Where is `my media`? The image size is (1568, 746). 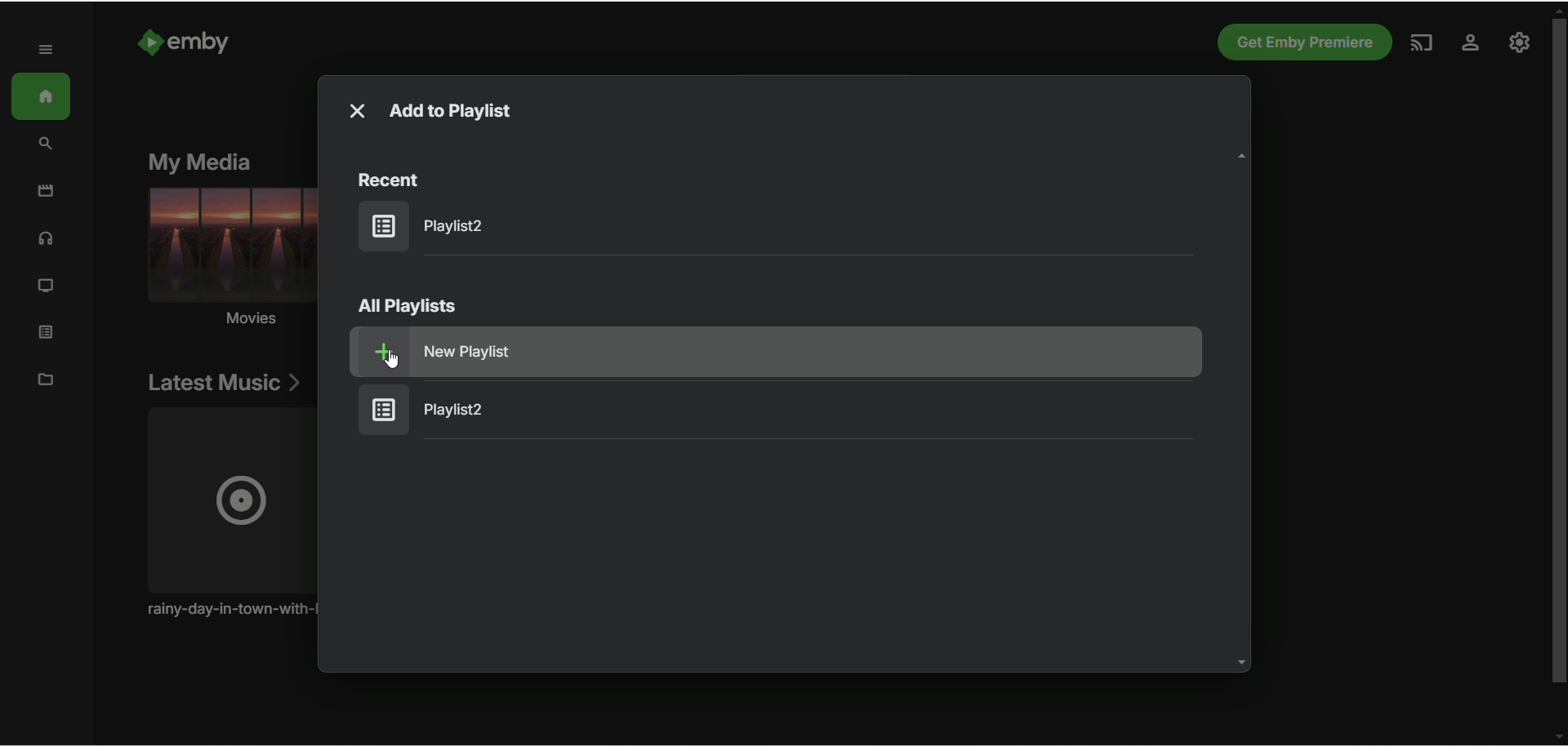
my media is located at coordinates (200, 161).